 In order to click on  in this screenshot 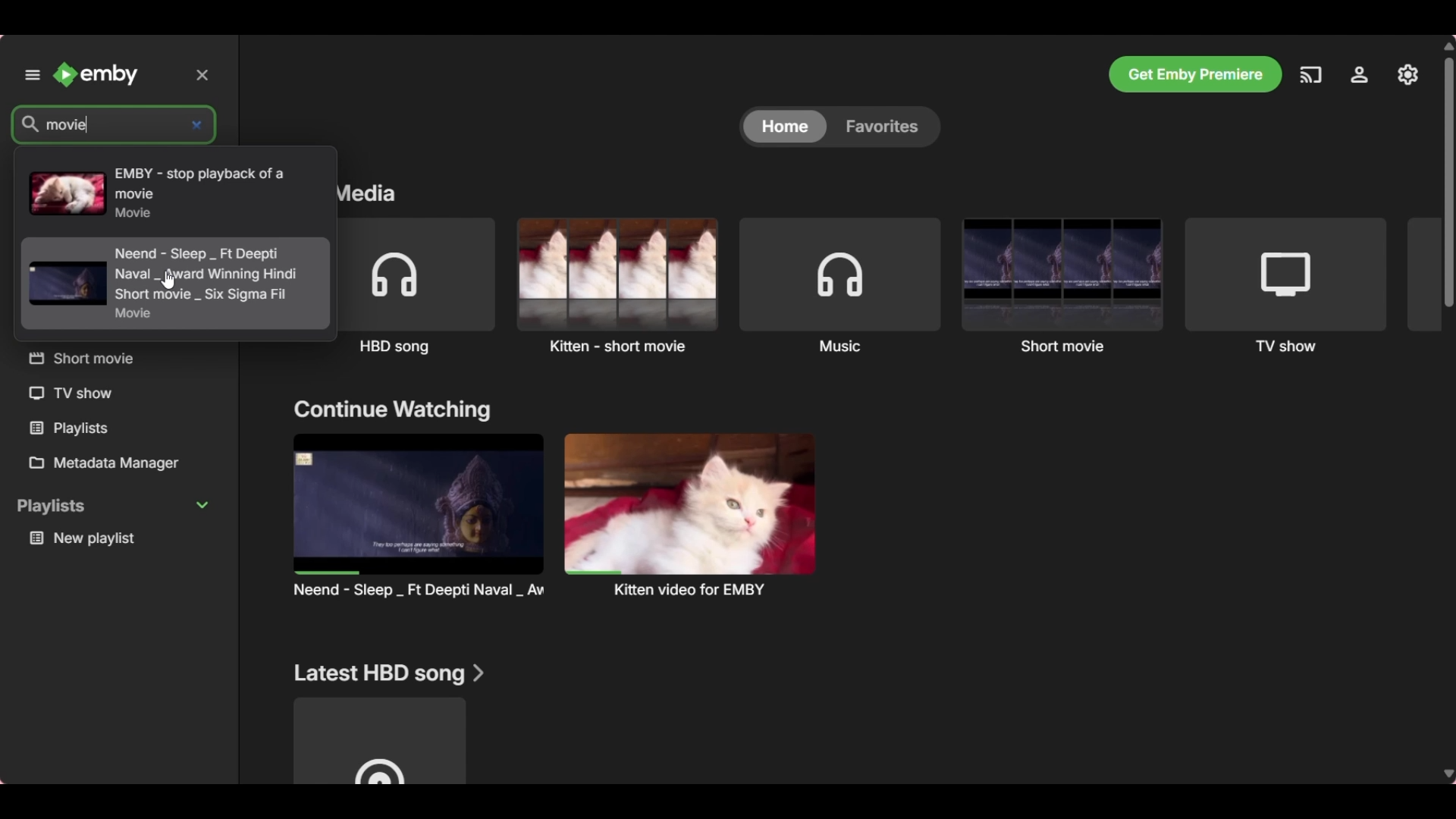, I will do `click(1442, 173)`.